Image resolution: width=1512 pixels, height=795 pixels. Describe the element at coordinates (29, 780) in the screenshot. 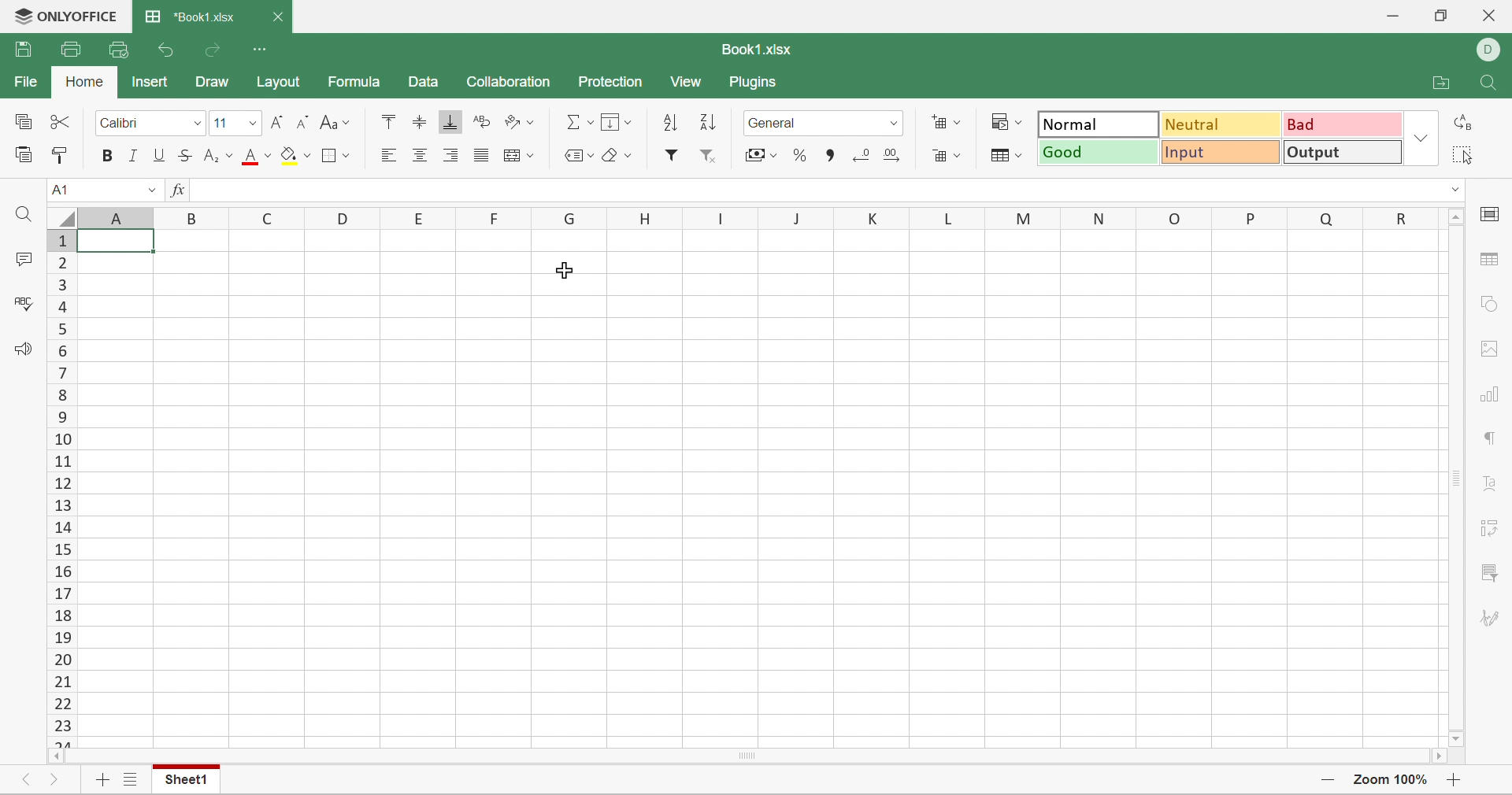

I see `Previous` at that location.